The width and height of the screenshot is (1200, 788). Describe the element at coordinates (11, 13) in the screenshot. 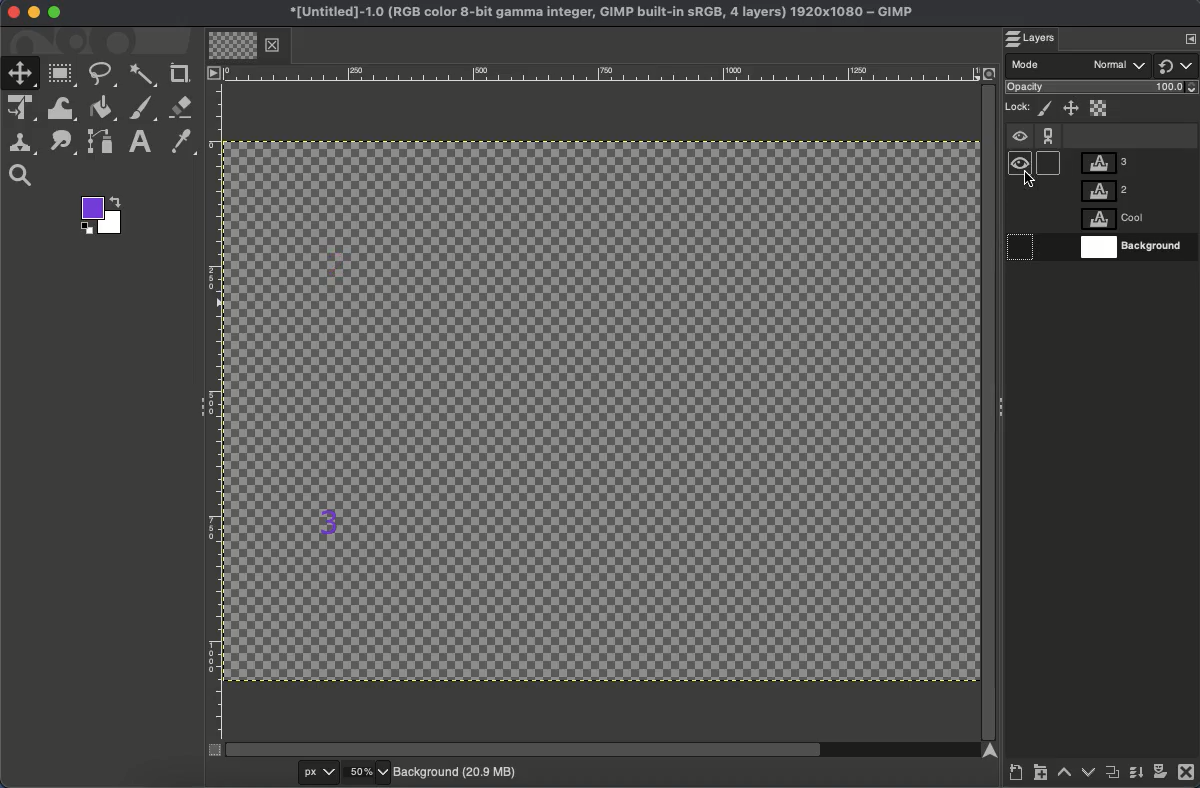

I see `Close` at that location.